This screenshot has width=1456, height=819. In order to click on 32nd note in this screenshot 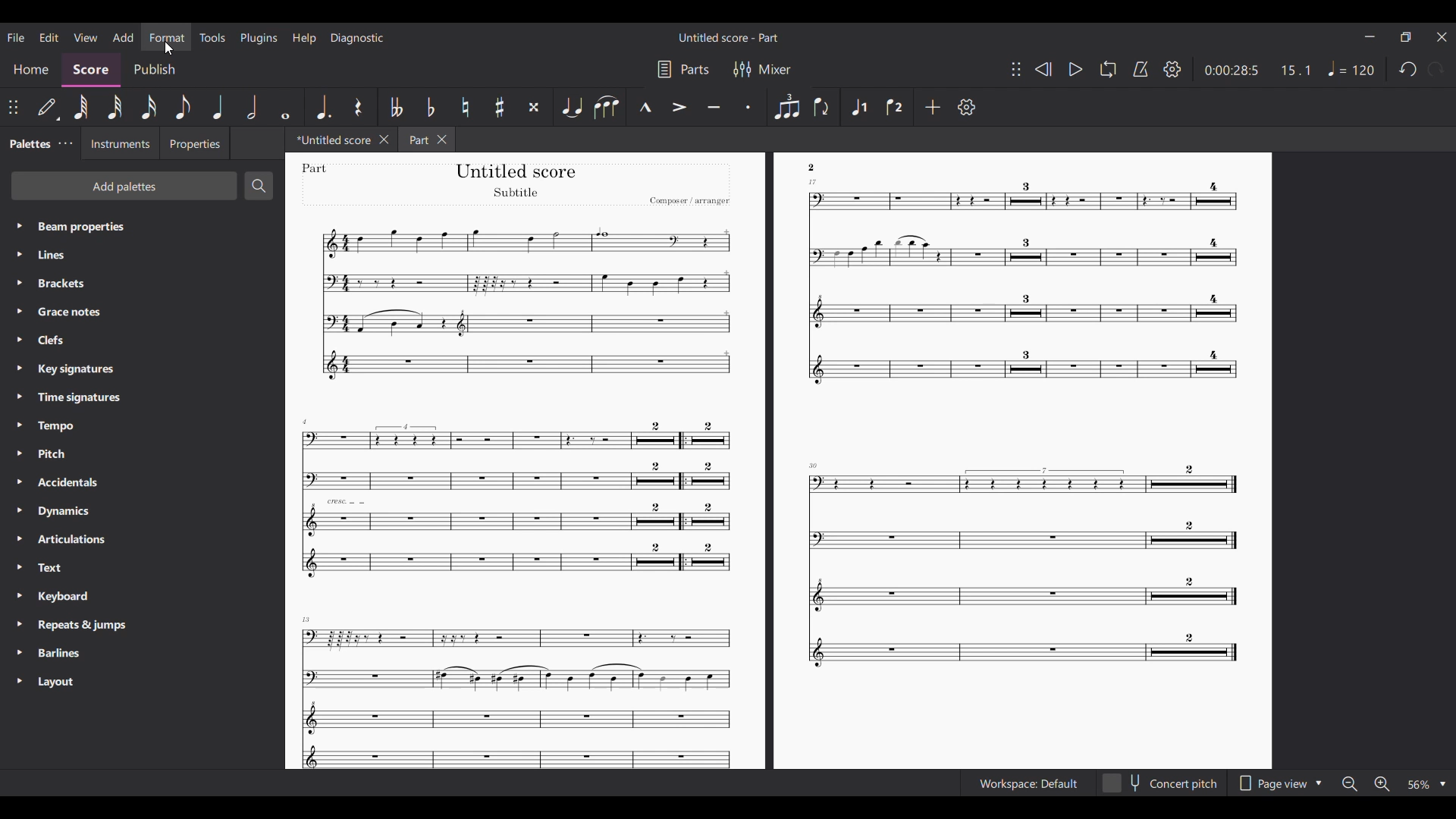, I will do `click(116, 108)`.